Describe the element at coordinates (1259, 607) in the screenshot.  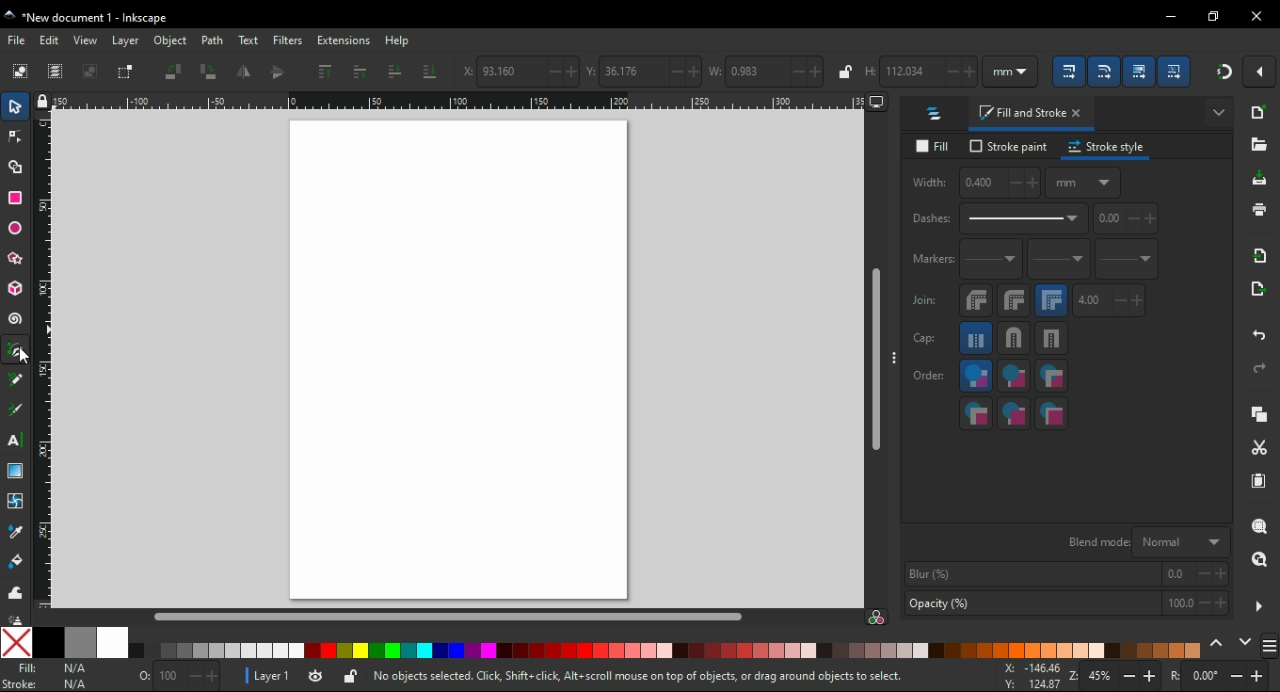
I see `more settings` at that location.